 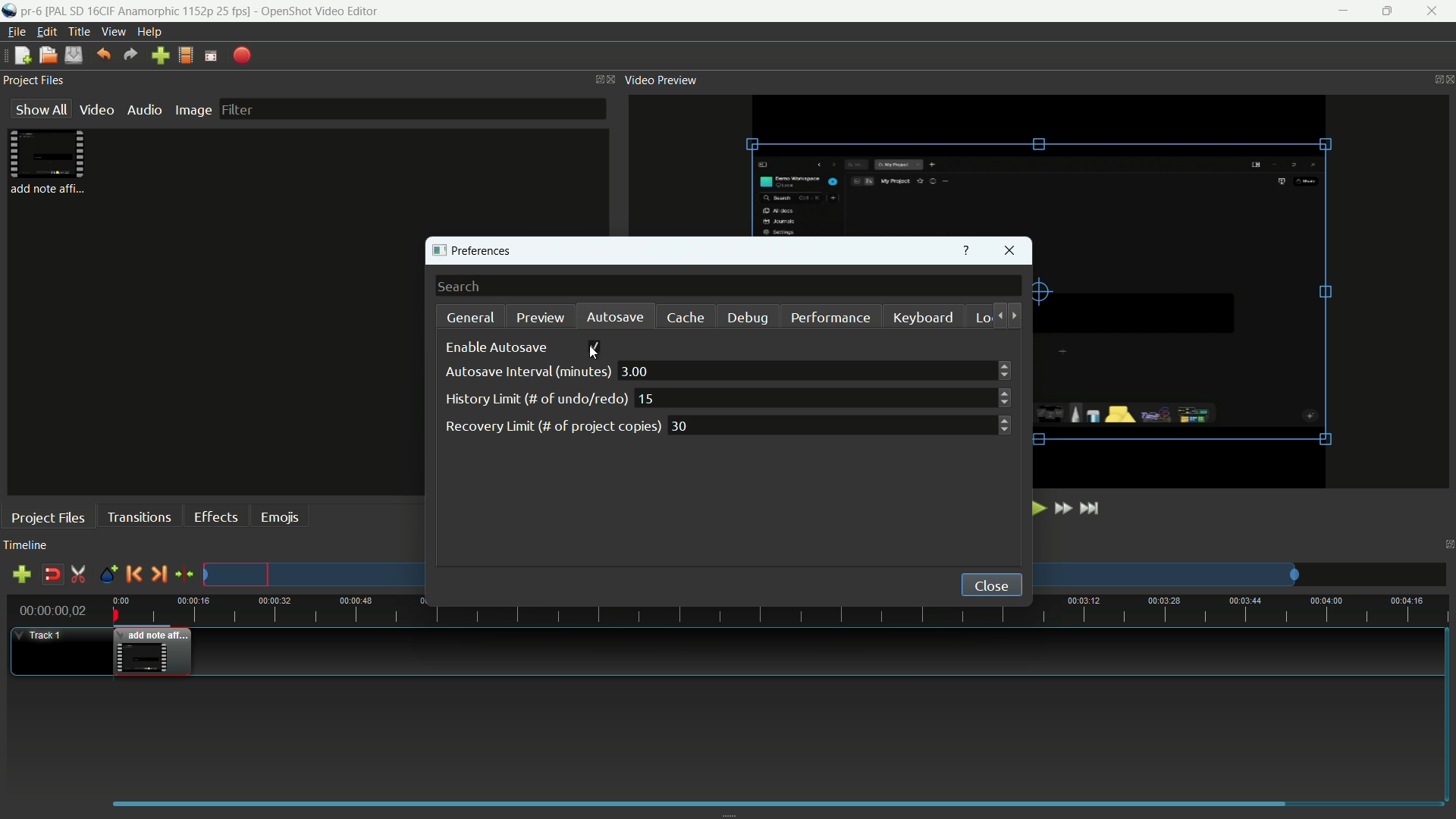 What do you see at coordinates (922, 316) in the screenshot?
I see `keyboard` at bounding box center [922, 316].